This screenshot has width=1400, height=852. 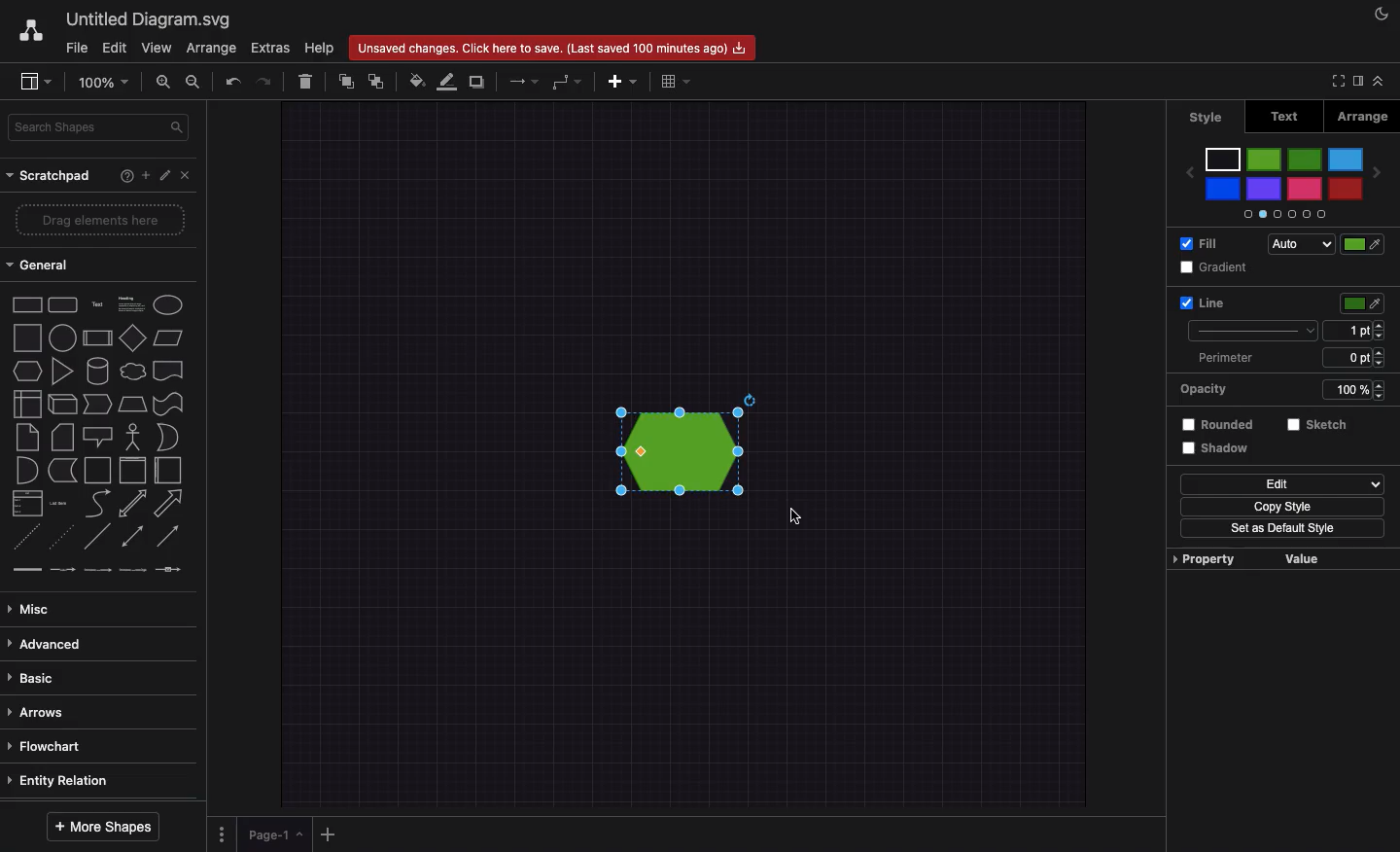 I want to click on View, so click(x=157, y=49).